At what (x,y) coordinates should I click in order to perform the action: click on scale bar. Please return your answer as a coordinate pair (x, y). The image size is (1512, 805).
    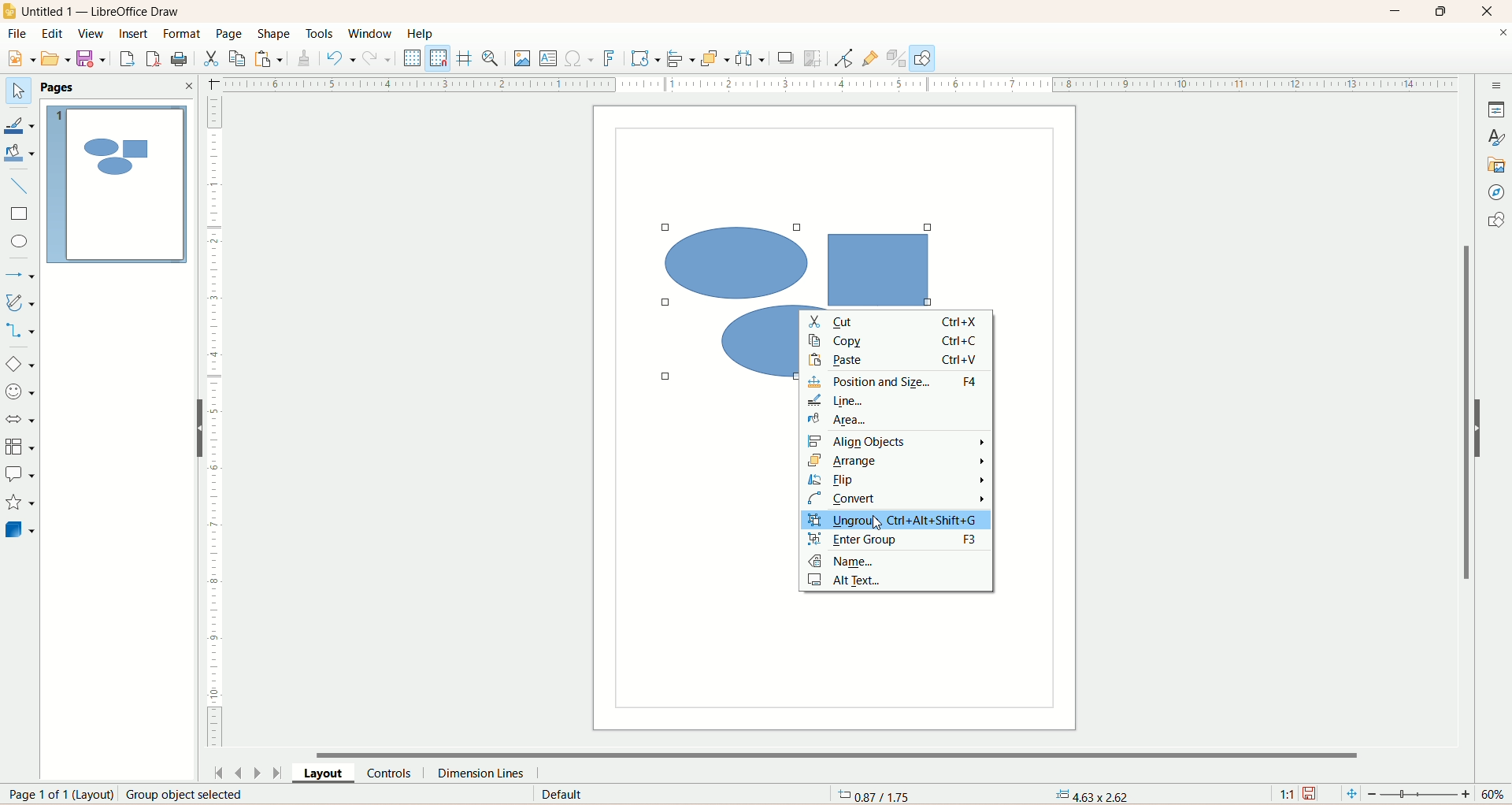
    Looking at the image, I should click on (220, 422).